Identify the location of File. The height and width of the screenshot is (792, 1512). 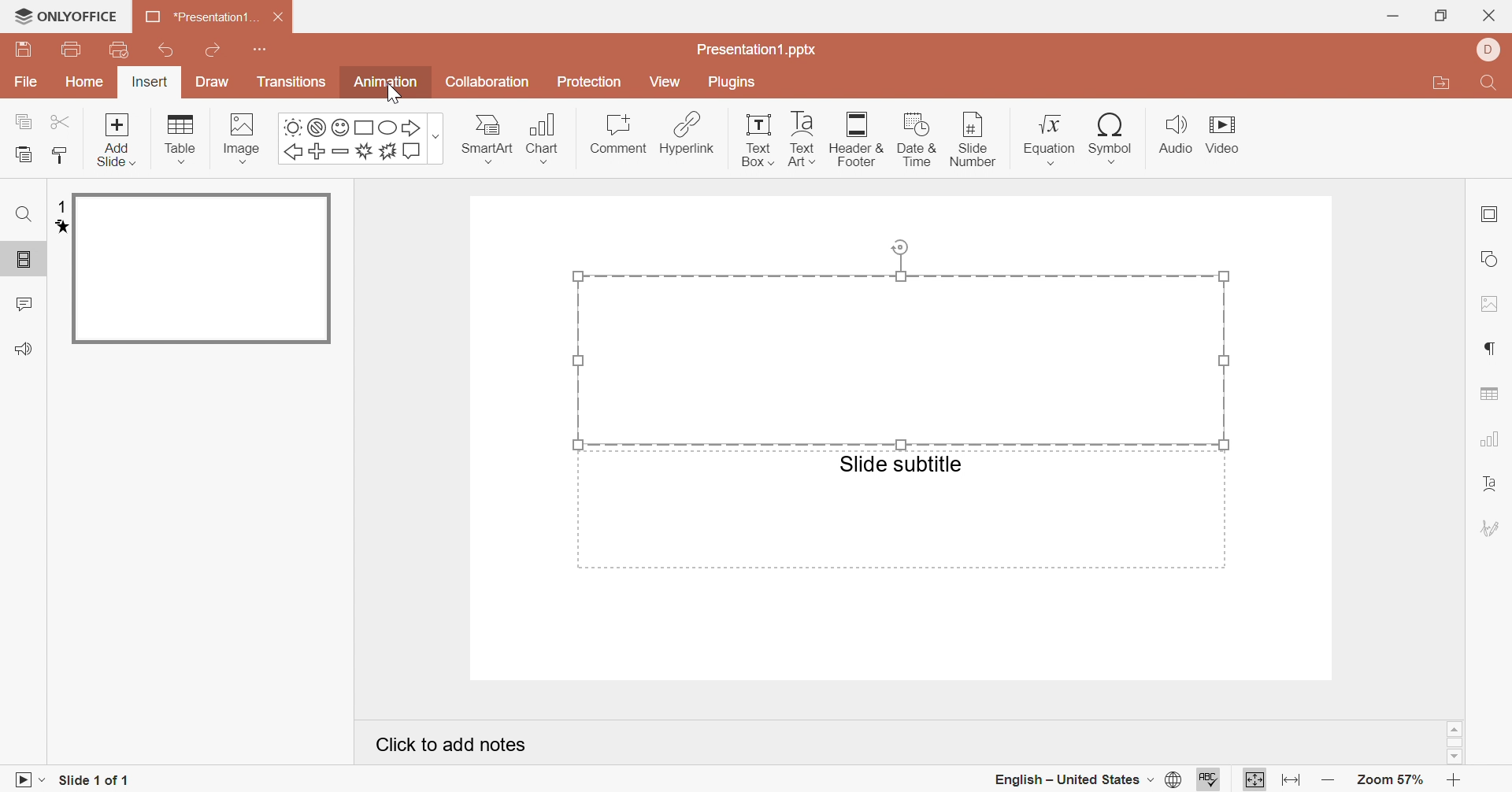
(27, 82).